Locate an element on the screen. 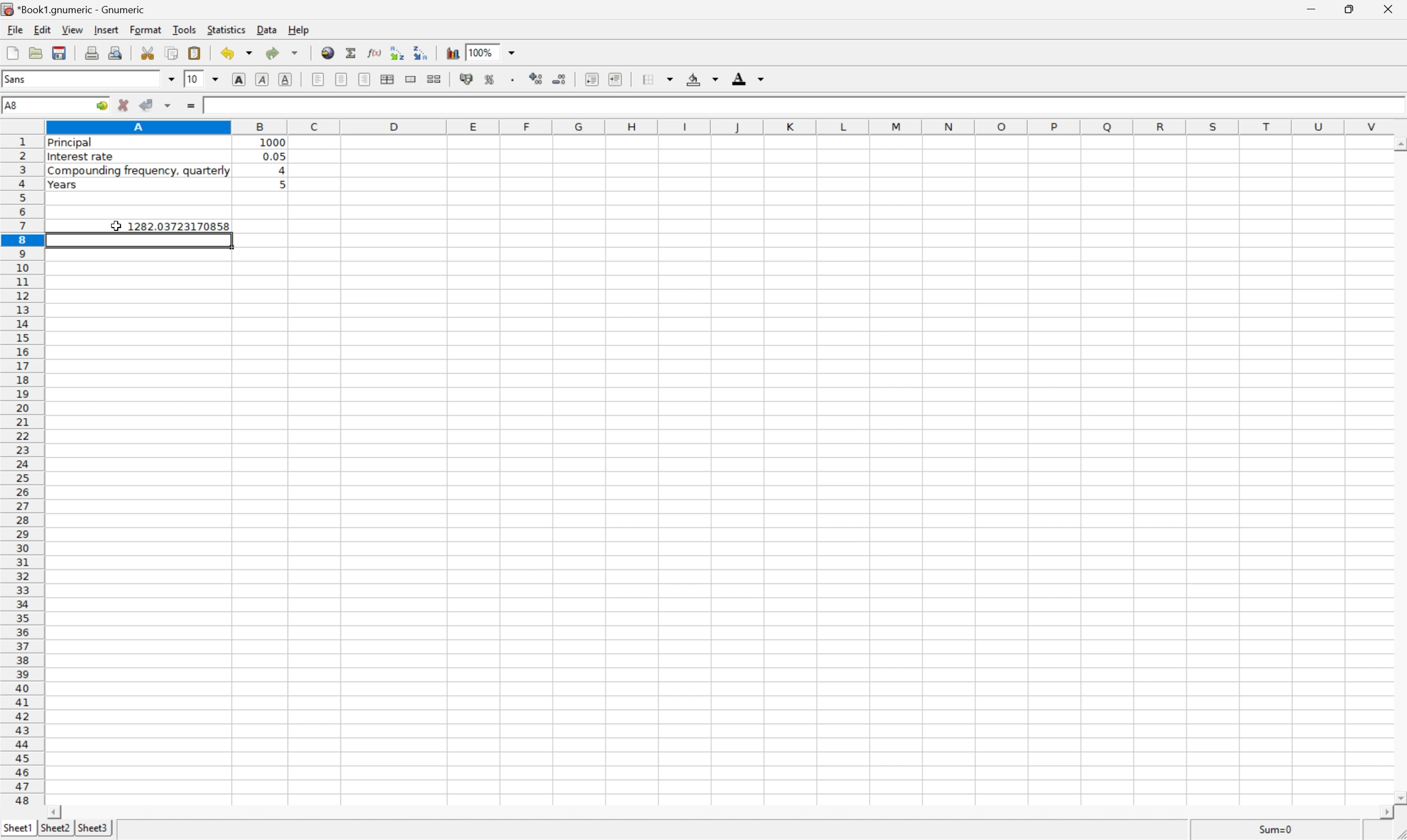  bold is located at coordinates (238, 78).